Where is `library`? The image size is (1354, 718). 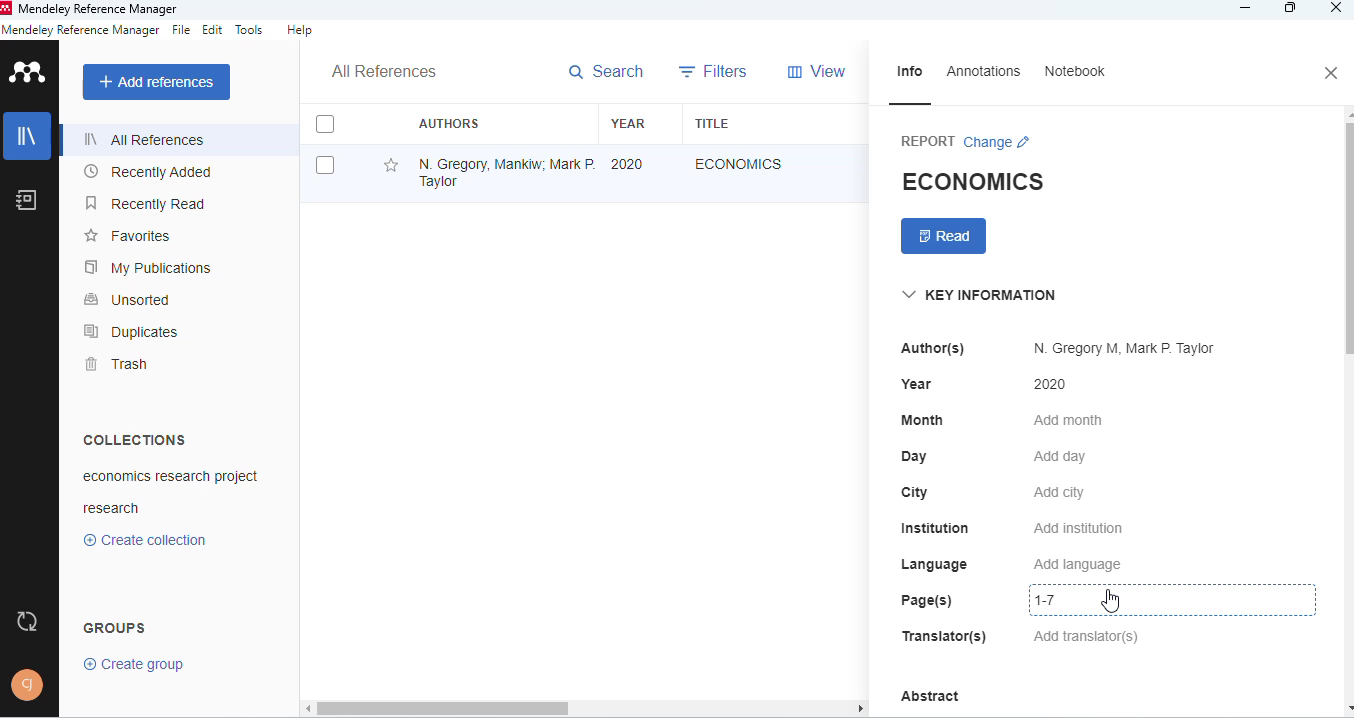 library is located at coordinates (28, 136).